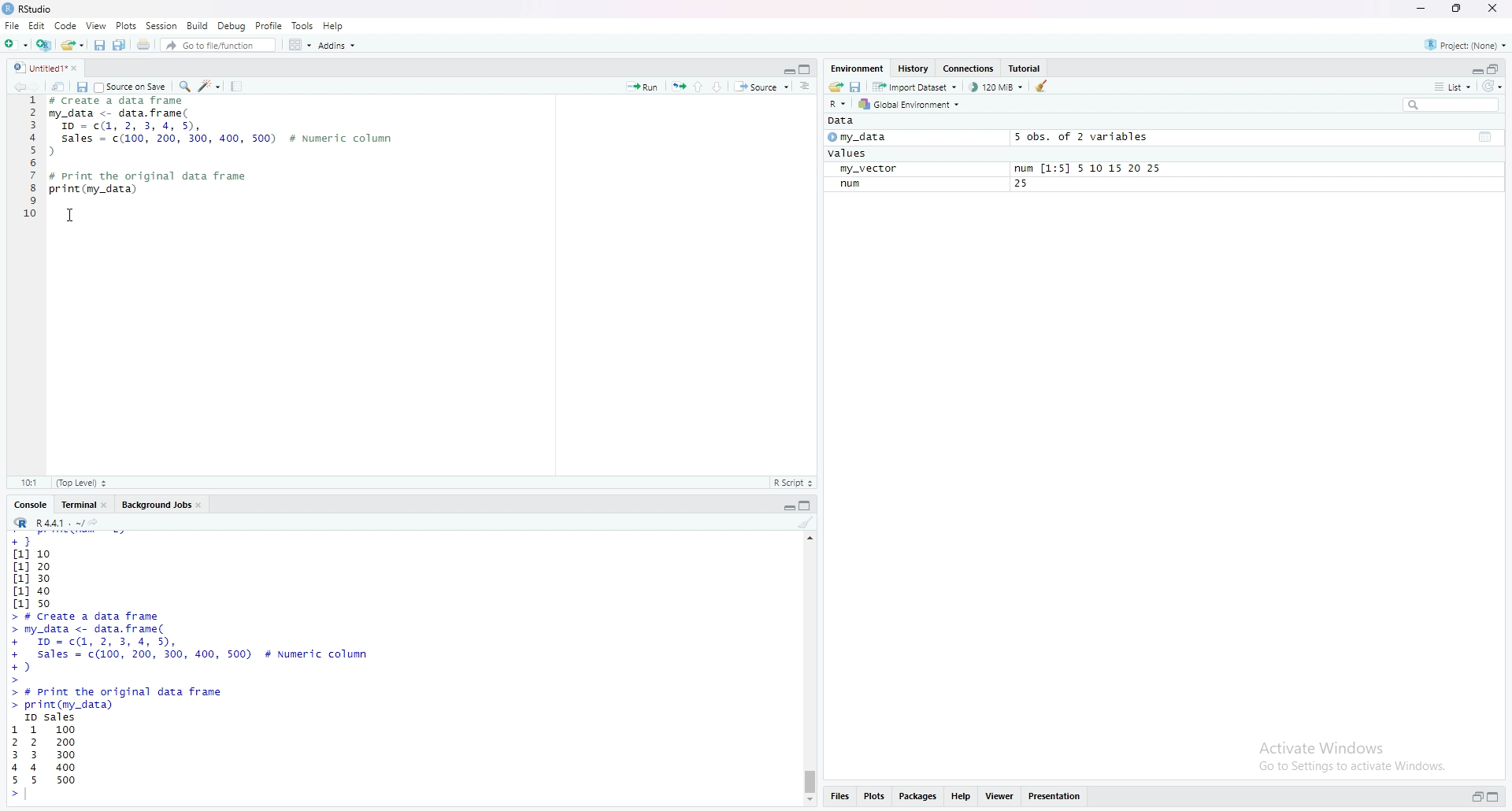  What do you see at coordinates (1085, 137) in the screenshot?
I see `5 obs. of 2 variables` at bounding box center [1085, 137].